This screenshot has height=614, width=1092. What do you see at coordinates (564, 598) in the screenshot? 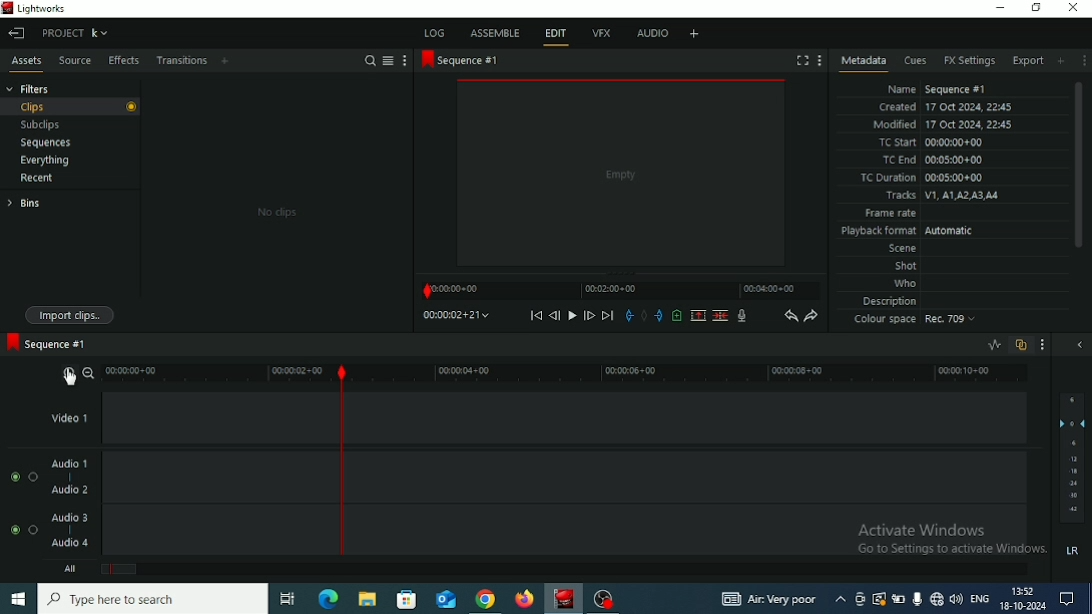
I see `Lightworks` at bounding box center [564, 598].